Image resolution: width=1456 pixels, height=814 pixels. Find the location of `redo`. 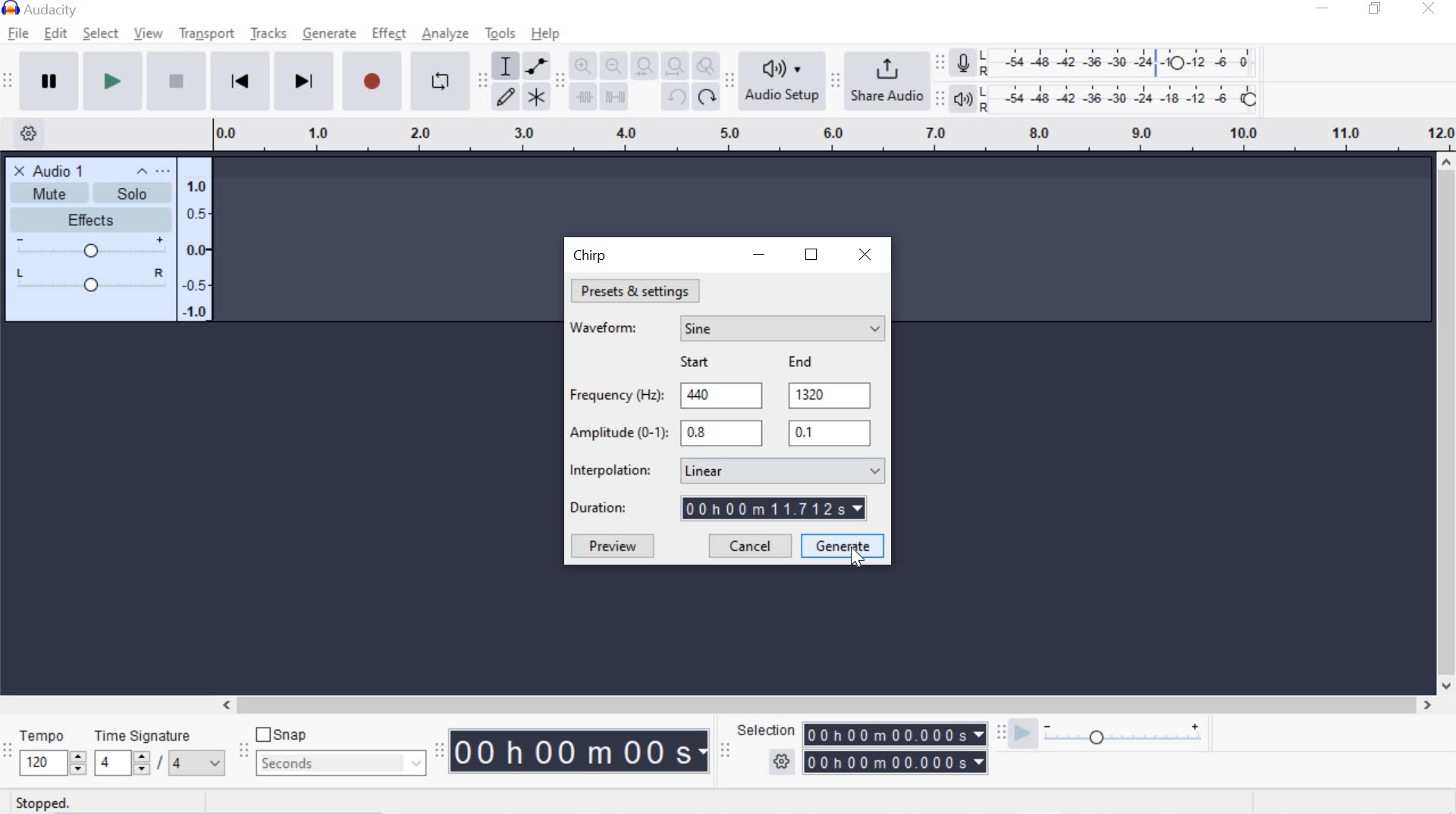

redo is located at coordinates (706, 96).